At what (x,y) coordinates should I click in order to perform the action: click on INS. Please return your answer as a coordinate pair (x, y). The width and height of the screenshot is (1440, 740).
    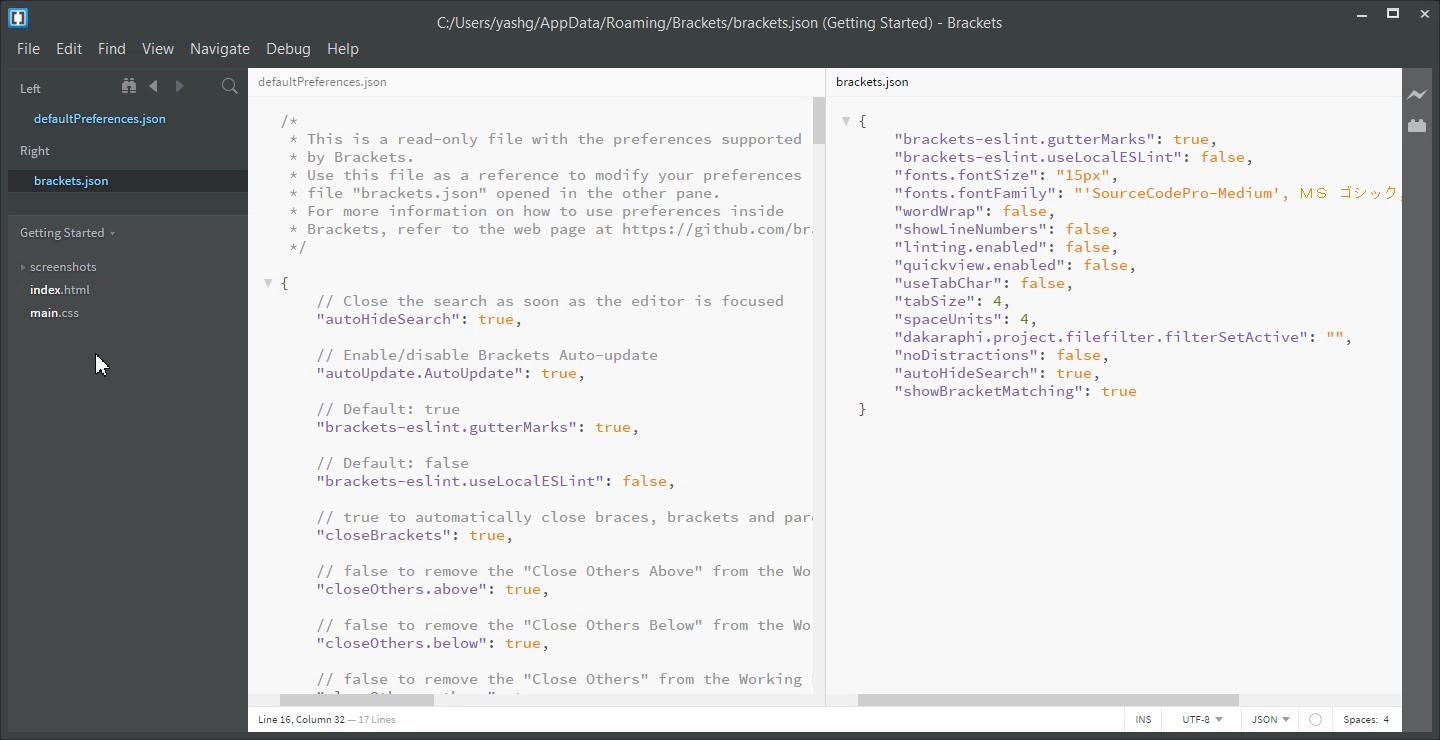
    Looking at the image, I should click on (1143, 720).